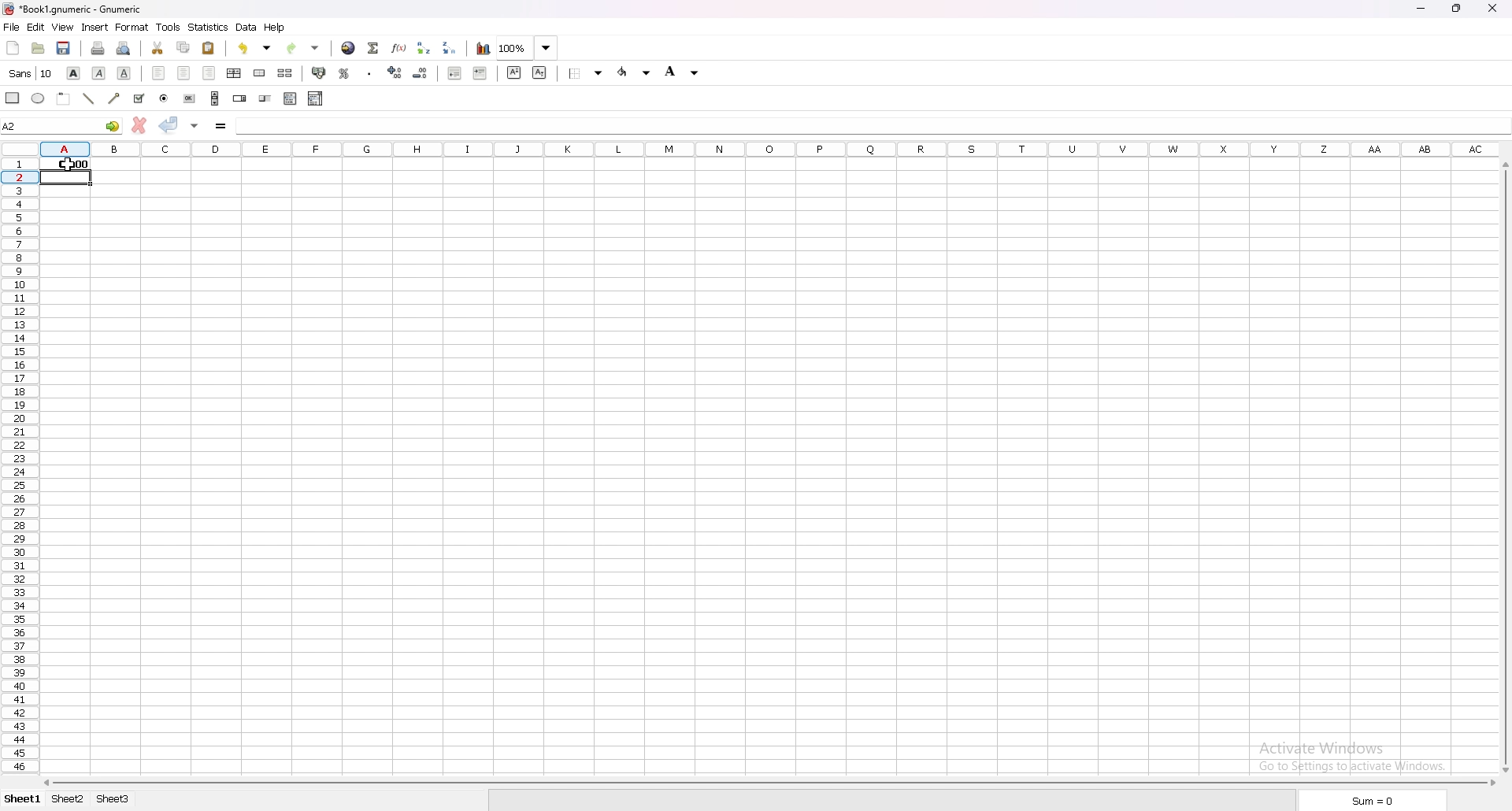 The width and height of the screenshot is (1512, 811). Describe the element at coordinates (125, 74) in the screenshot. I see `underline` at that location.